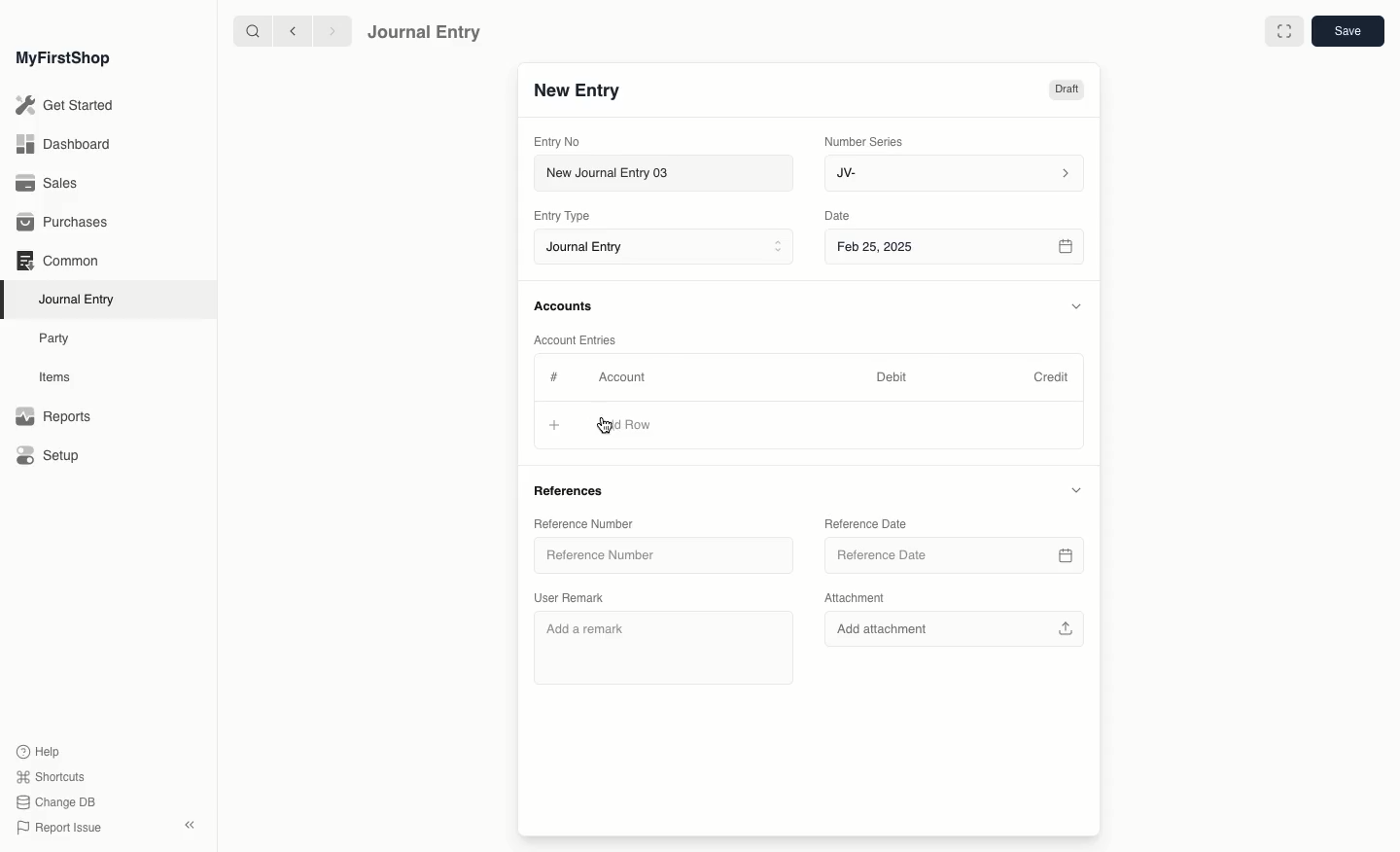  I want to click on Date, so click(838, 216).